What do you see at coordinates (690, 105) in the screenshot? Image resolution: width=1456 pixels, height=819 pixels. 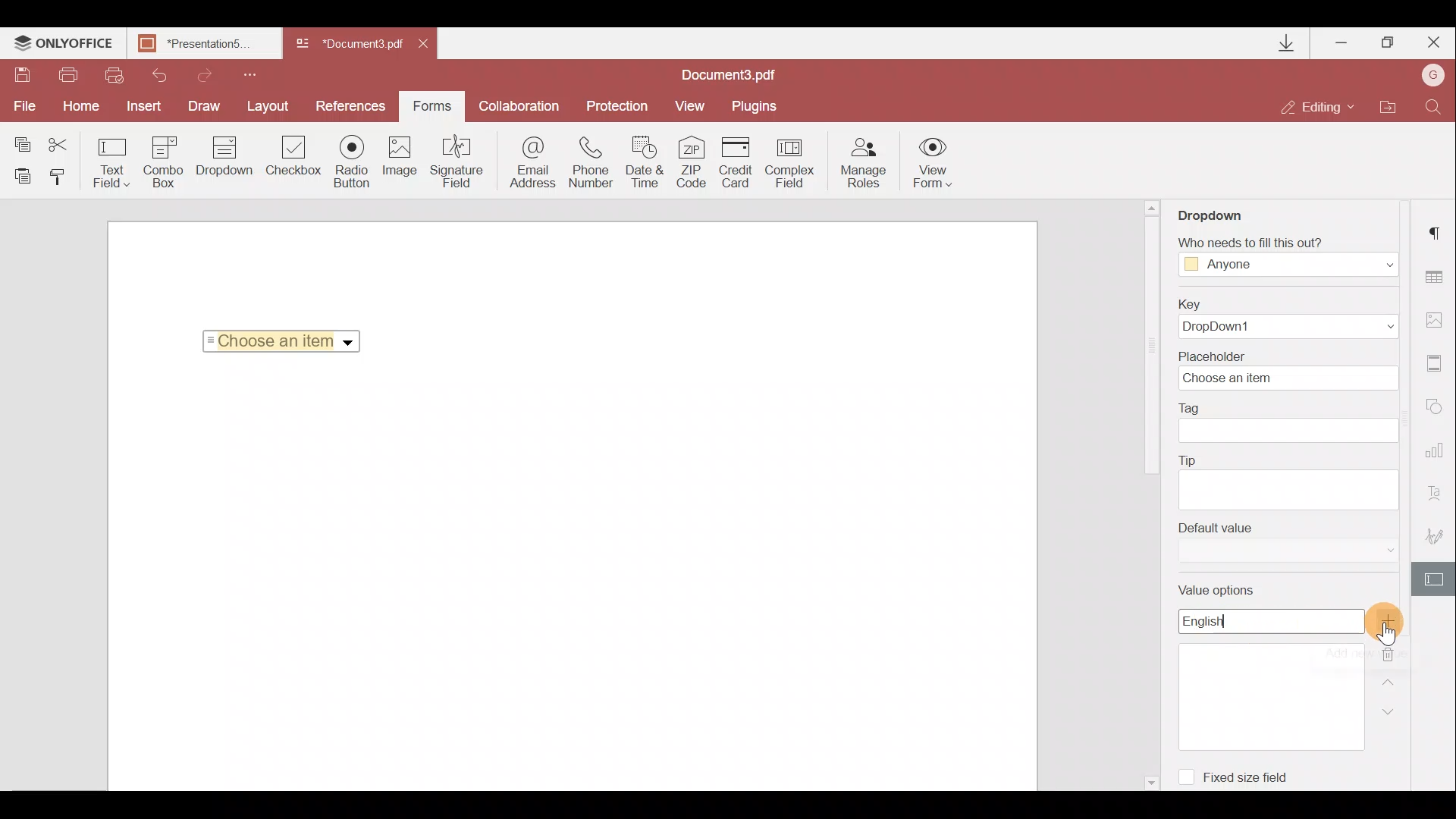 I see `View` at bounding box center [690, 105].